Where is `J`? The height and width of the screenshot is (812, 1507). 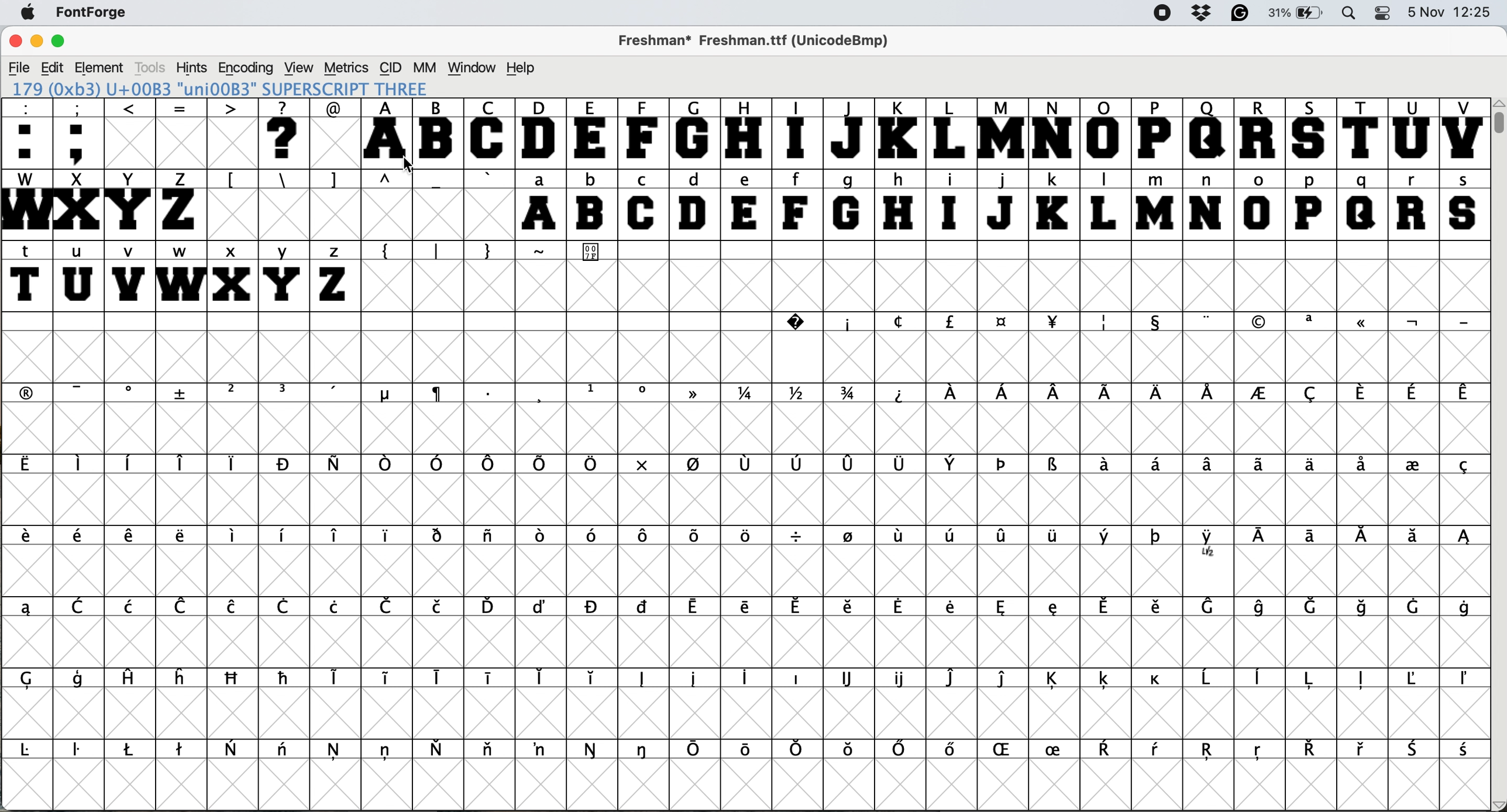 J is located at coordinates (848, 133).